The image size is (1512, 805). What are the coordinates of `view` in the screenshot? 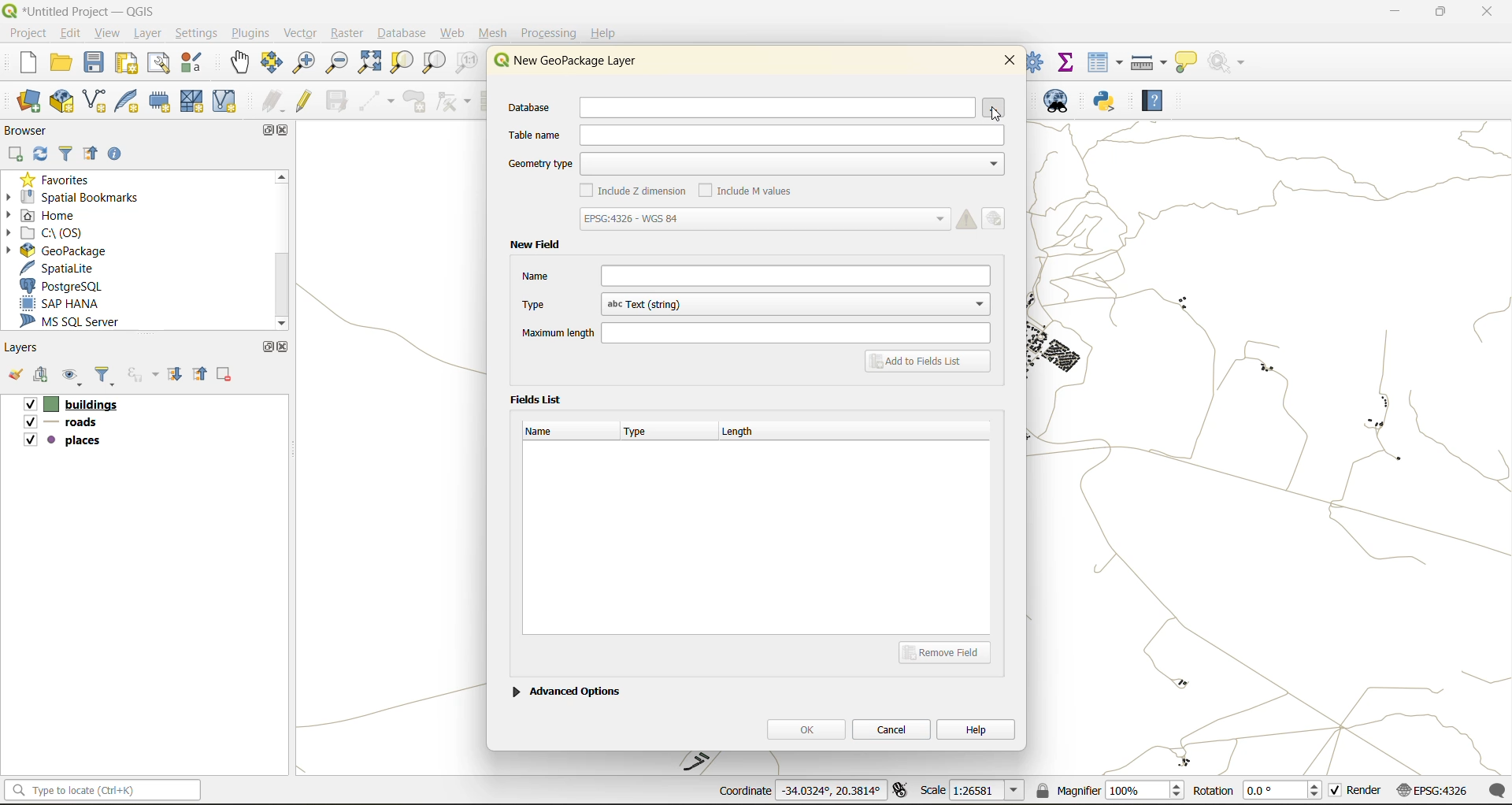 It's located at (109, 32).